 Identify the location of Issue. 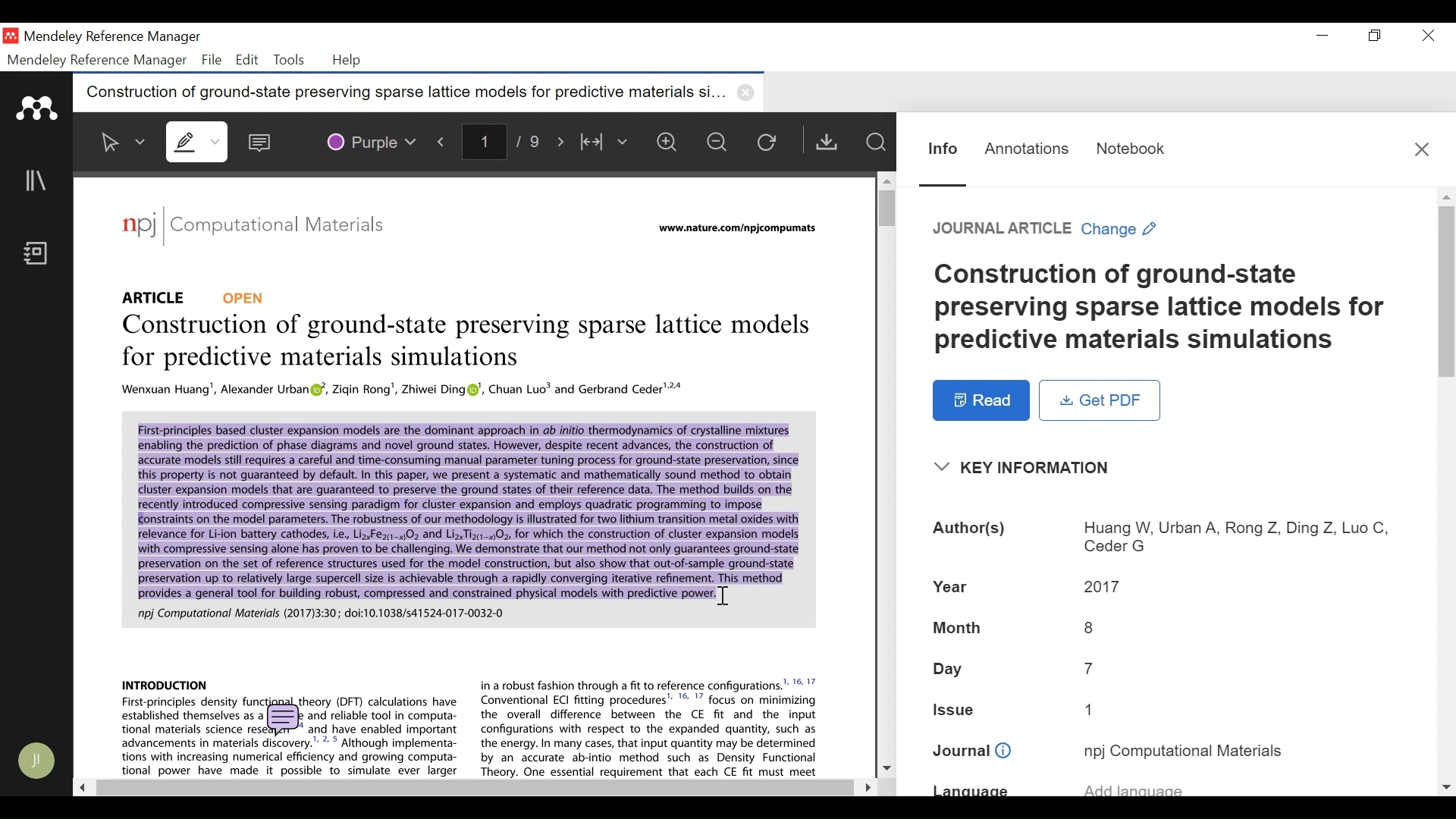
(955, 708).